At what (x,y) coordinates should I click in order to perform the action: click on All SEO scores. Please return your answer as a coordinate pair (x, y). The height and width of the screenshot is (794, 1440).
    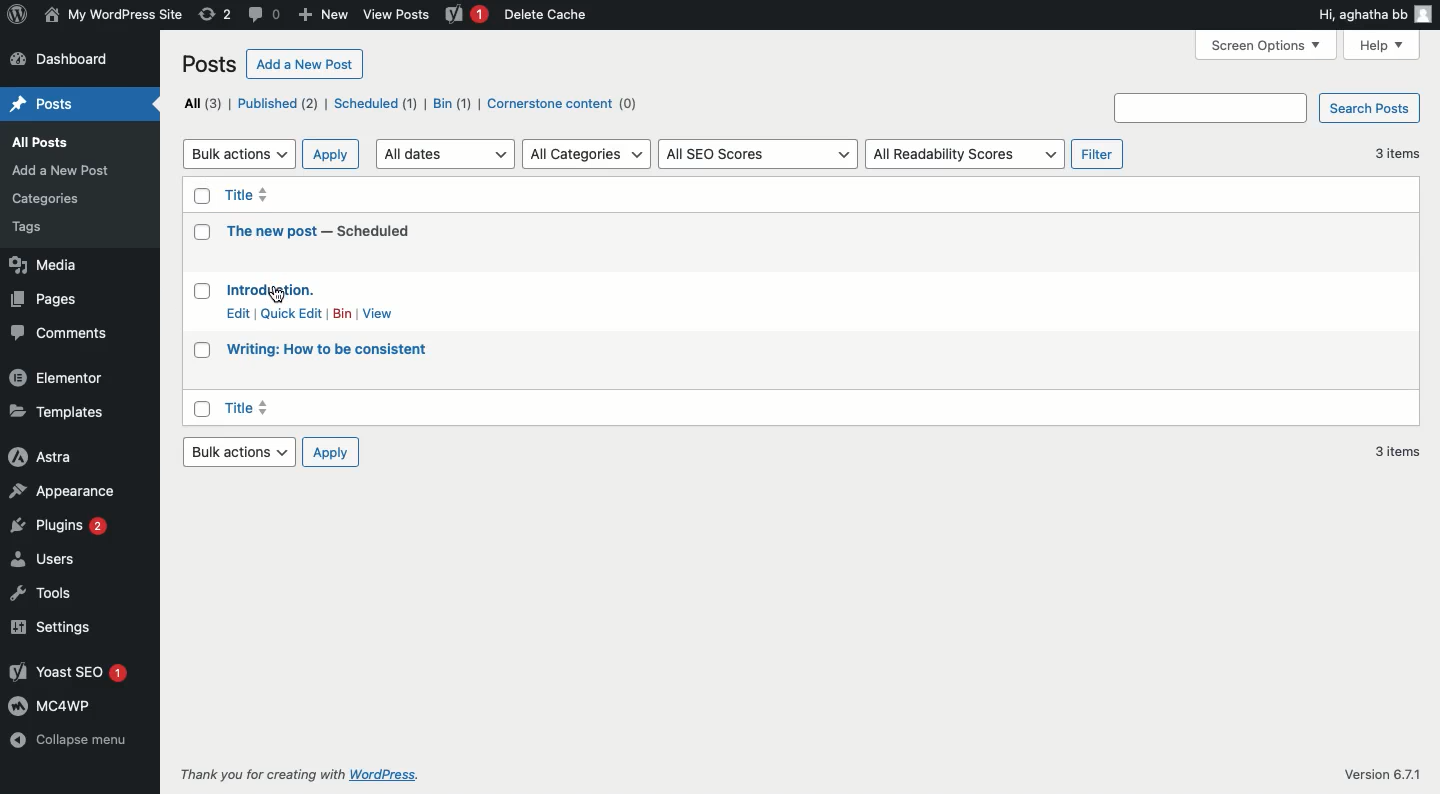
    Looking at the image, I should click on (759, 155).